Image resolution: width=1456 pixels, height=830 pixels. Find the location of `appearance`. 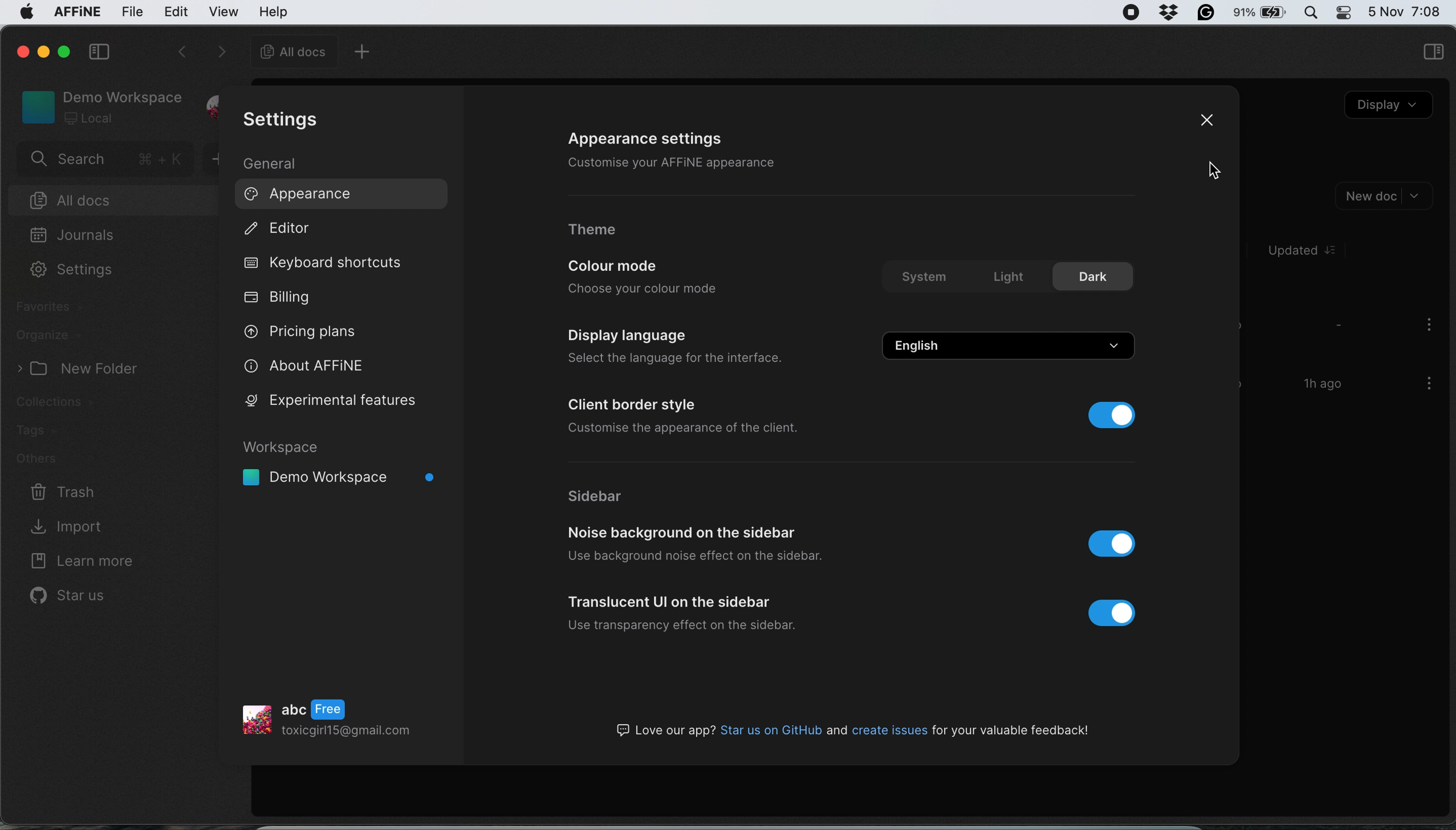

appearance is located at coordinates (300, 193).